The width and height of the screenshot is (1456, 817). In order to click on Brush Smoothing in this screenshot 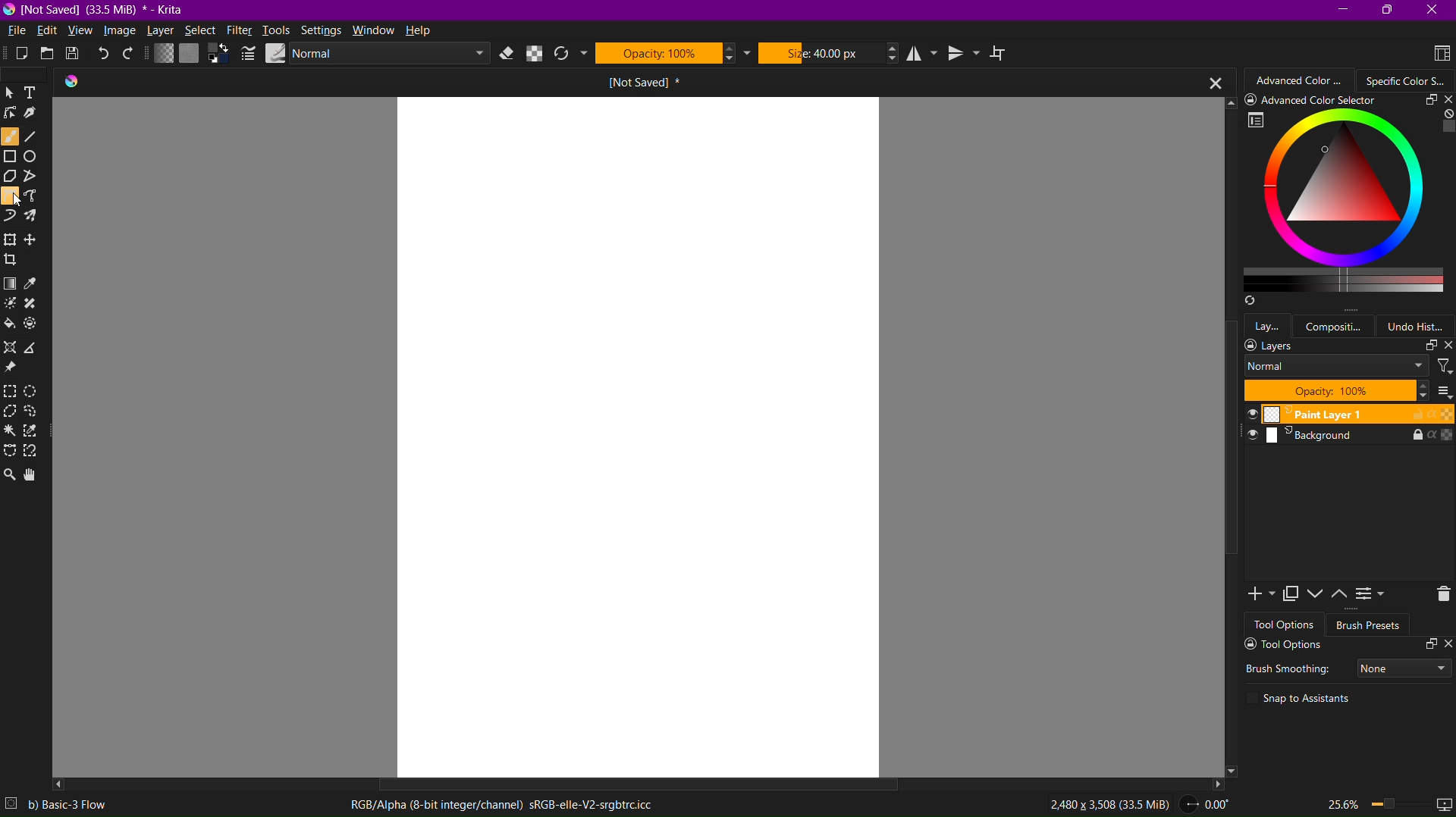, I will do `click(1348, 668)`.